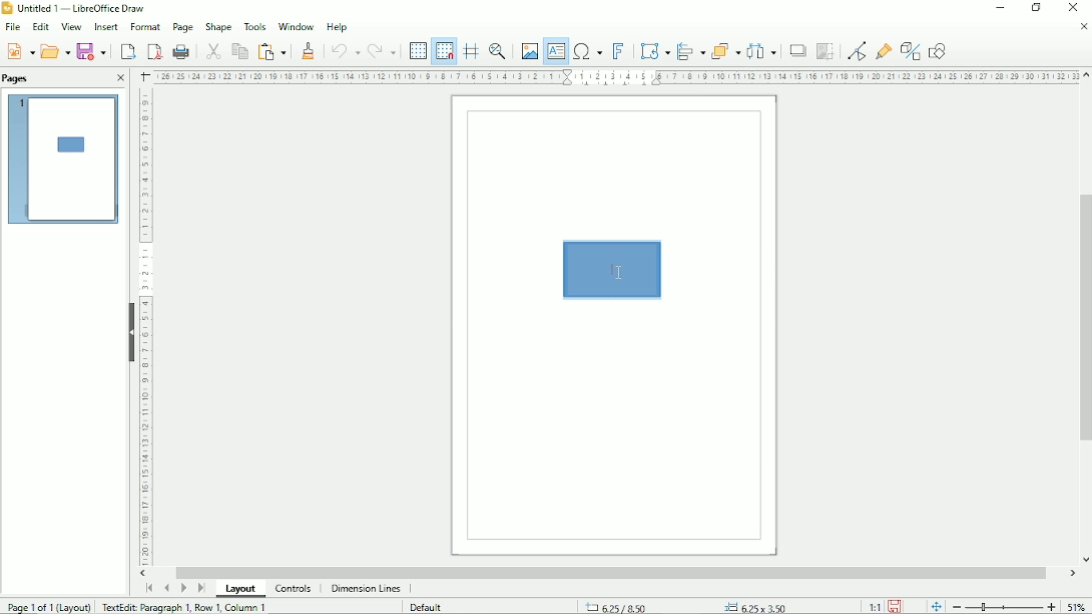  I want to click on Edit, so click(42, 26).